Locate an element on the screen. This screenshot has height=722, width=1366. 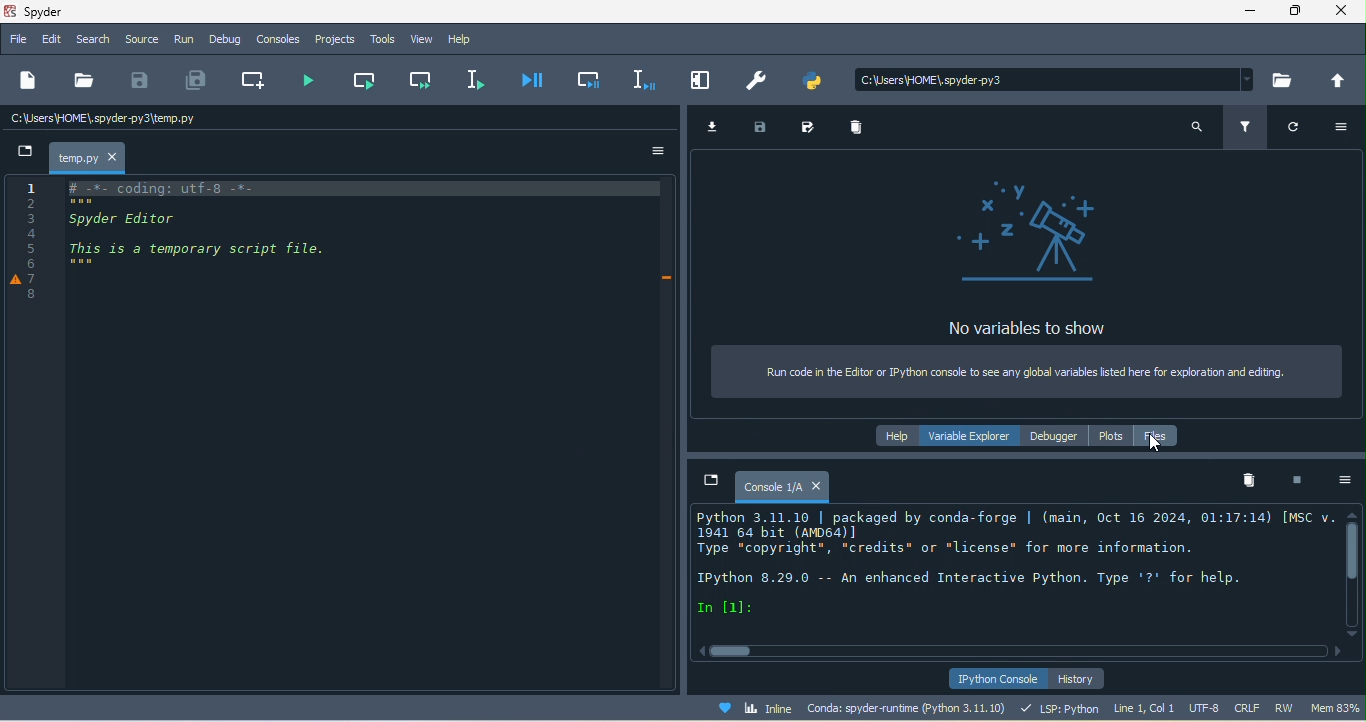
pythonpath manager is located at coordinates (817, 80).